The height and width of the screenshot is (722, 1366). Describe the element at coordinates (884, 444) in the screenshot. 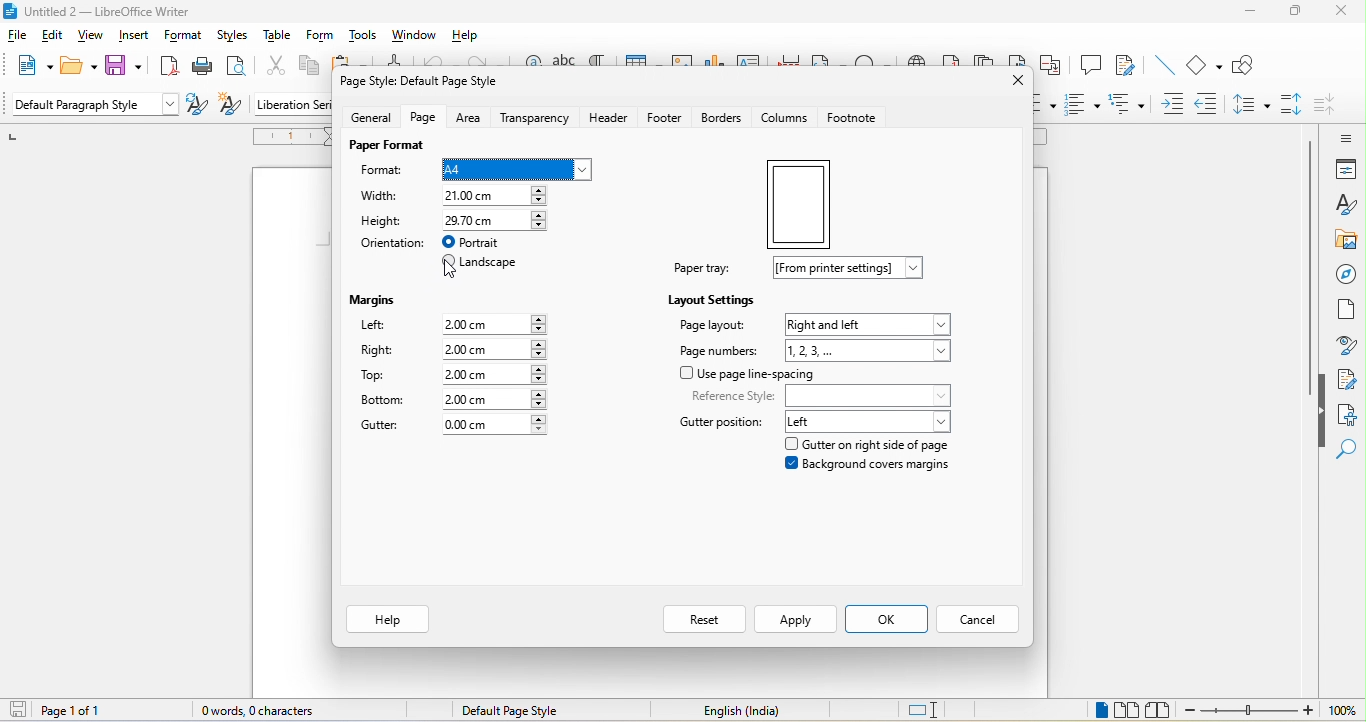

I see `gutter on right side of page` at that location.